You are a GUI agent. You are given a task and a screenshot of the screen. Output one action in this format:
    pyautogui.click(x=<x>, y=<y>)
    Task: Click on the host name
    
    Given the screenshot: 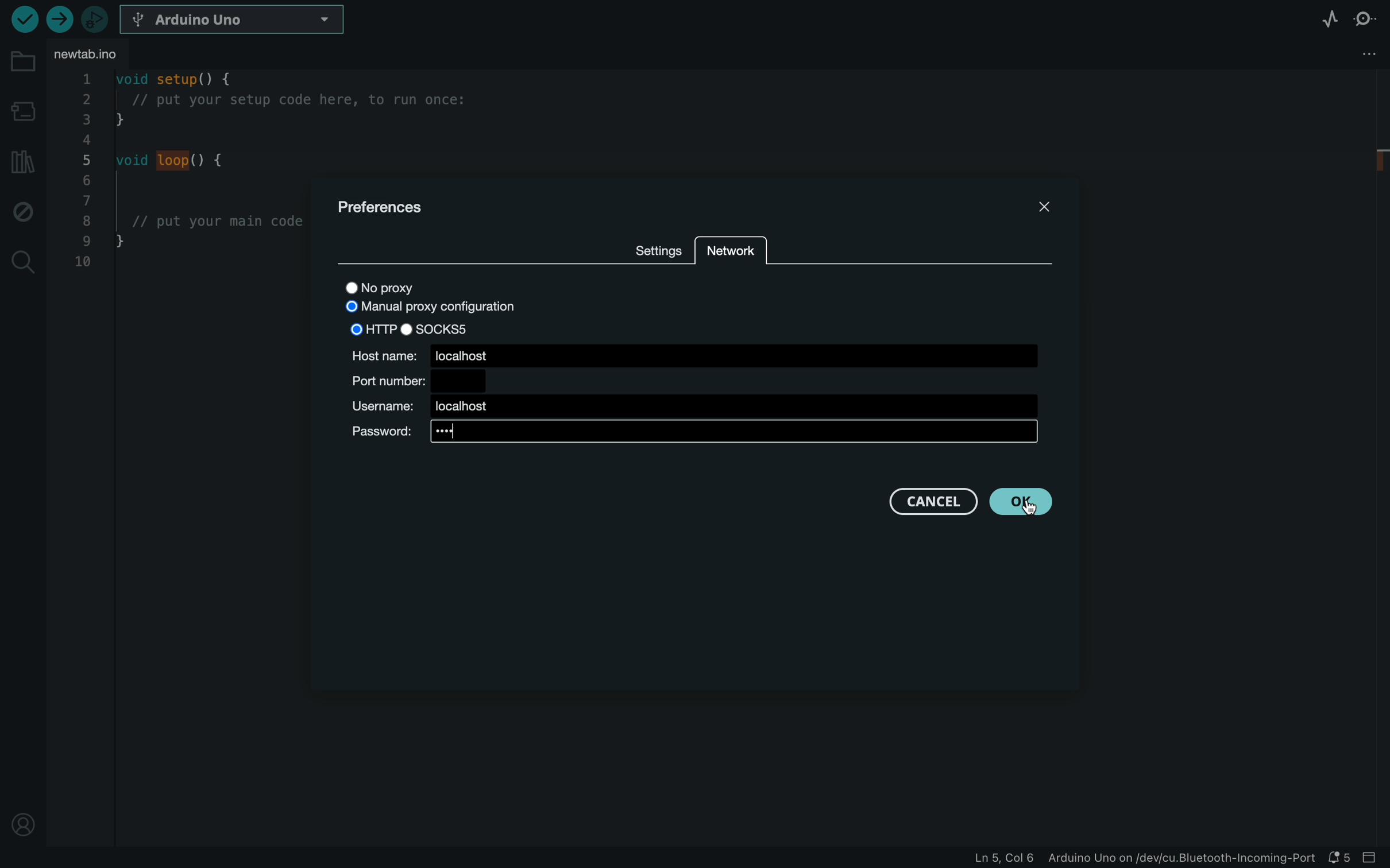 What is the action you would take?
    pyautogui.click(x=693, y=354)
    